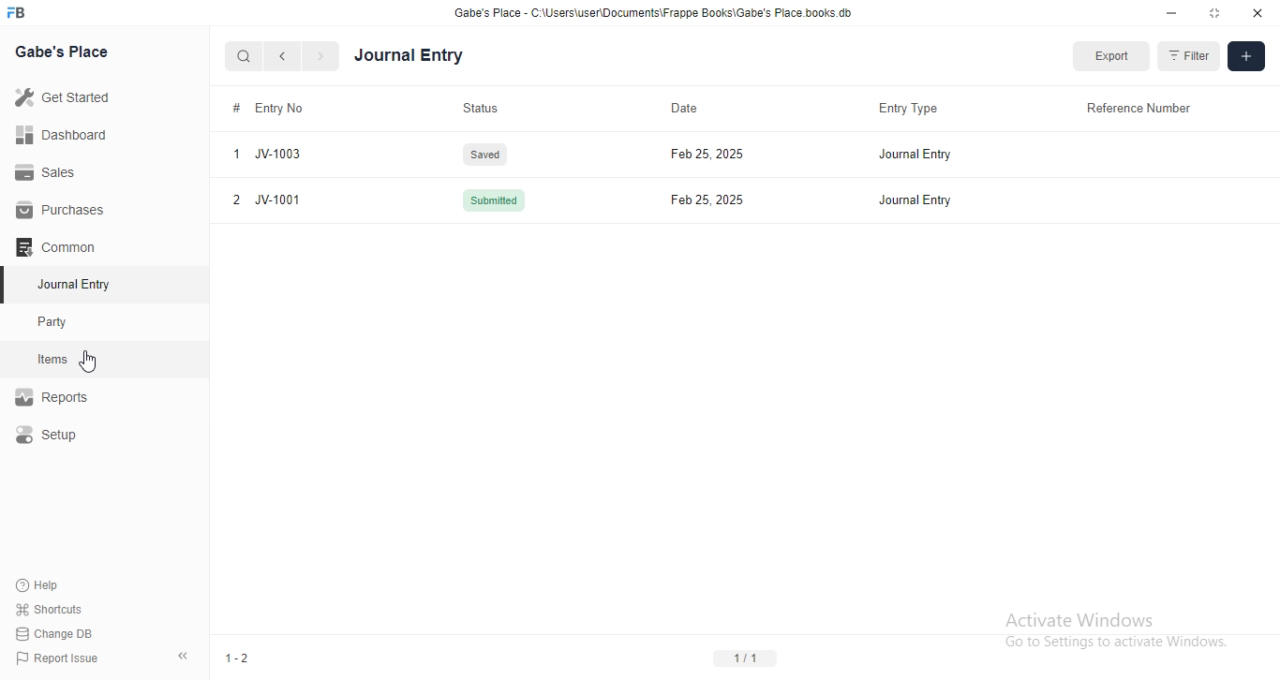 This screenshot has height=680, width=1280. I want to click on close, so click(1258, 13).